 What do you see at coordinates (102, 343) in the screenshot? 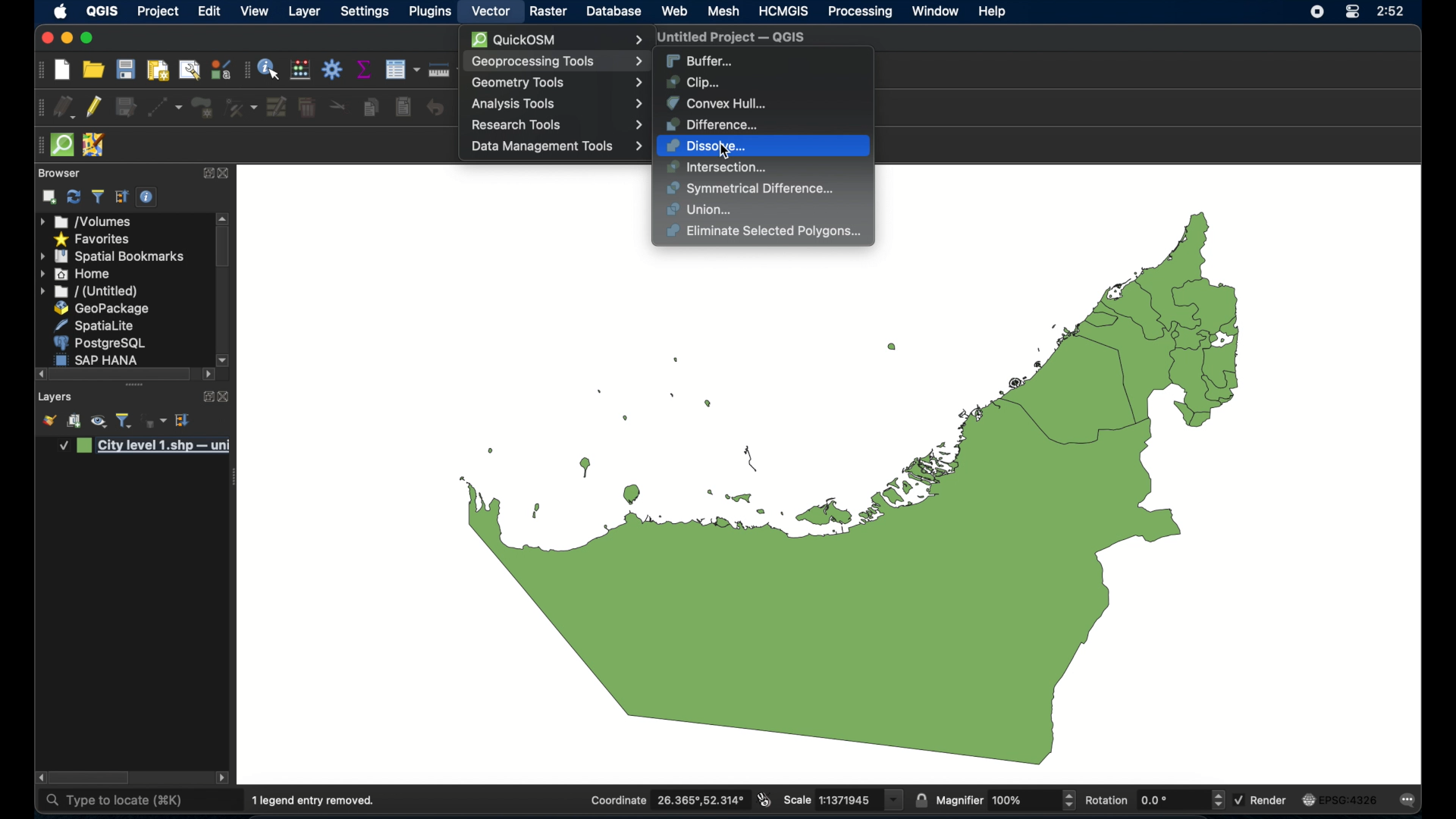
I see `postgresql` at bounding box center [102, 343].